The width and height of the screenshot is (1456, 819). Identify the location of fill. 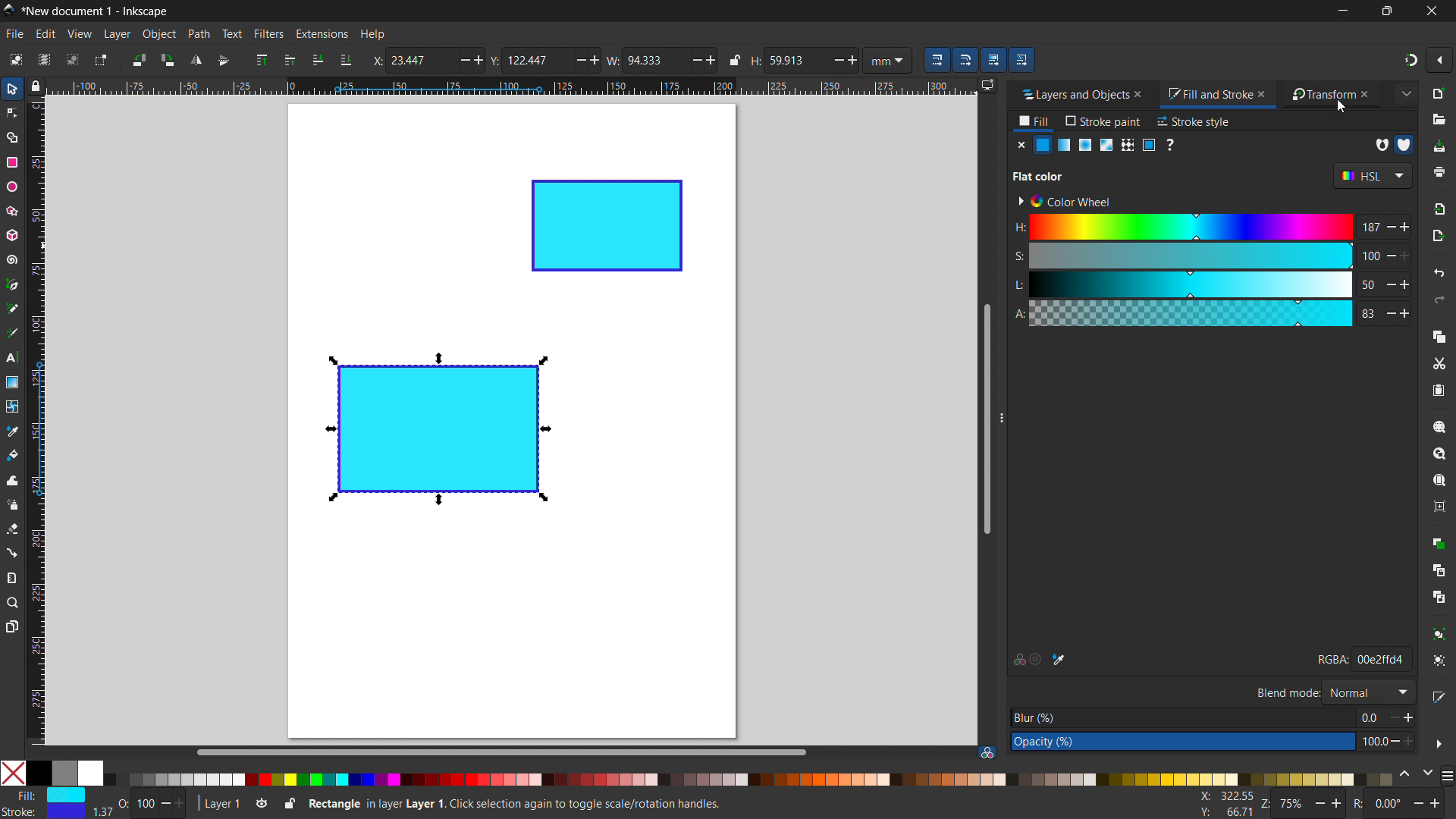
(1034, 123).